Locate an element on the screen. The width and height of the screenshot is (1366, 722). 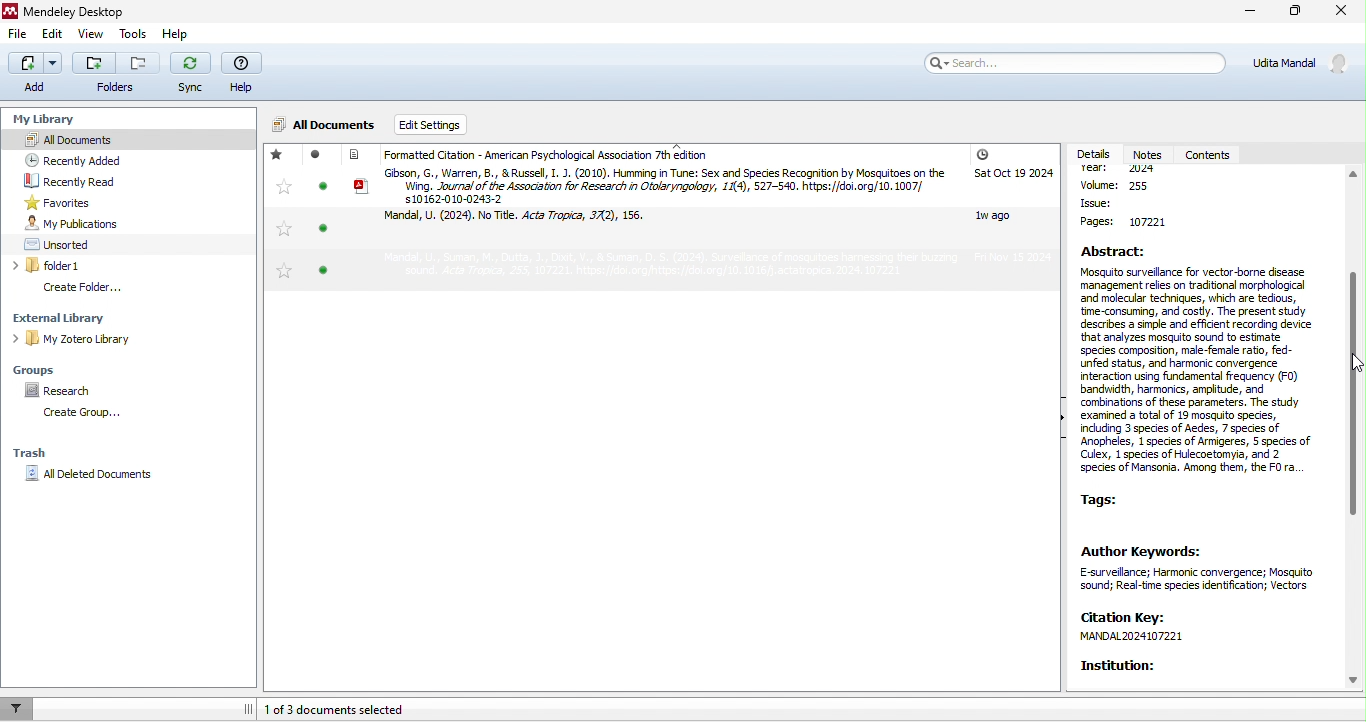
folder1 is located at coordinates (98, 266).